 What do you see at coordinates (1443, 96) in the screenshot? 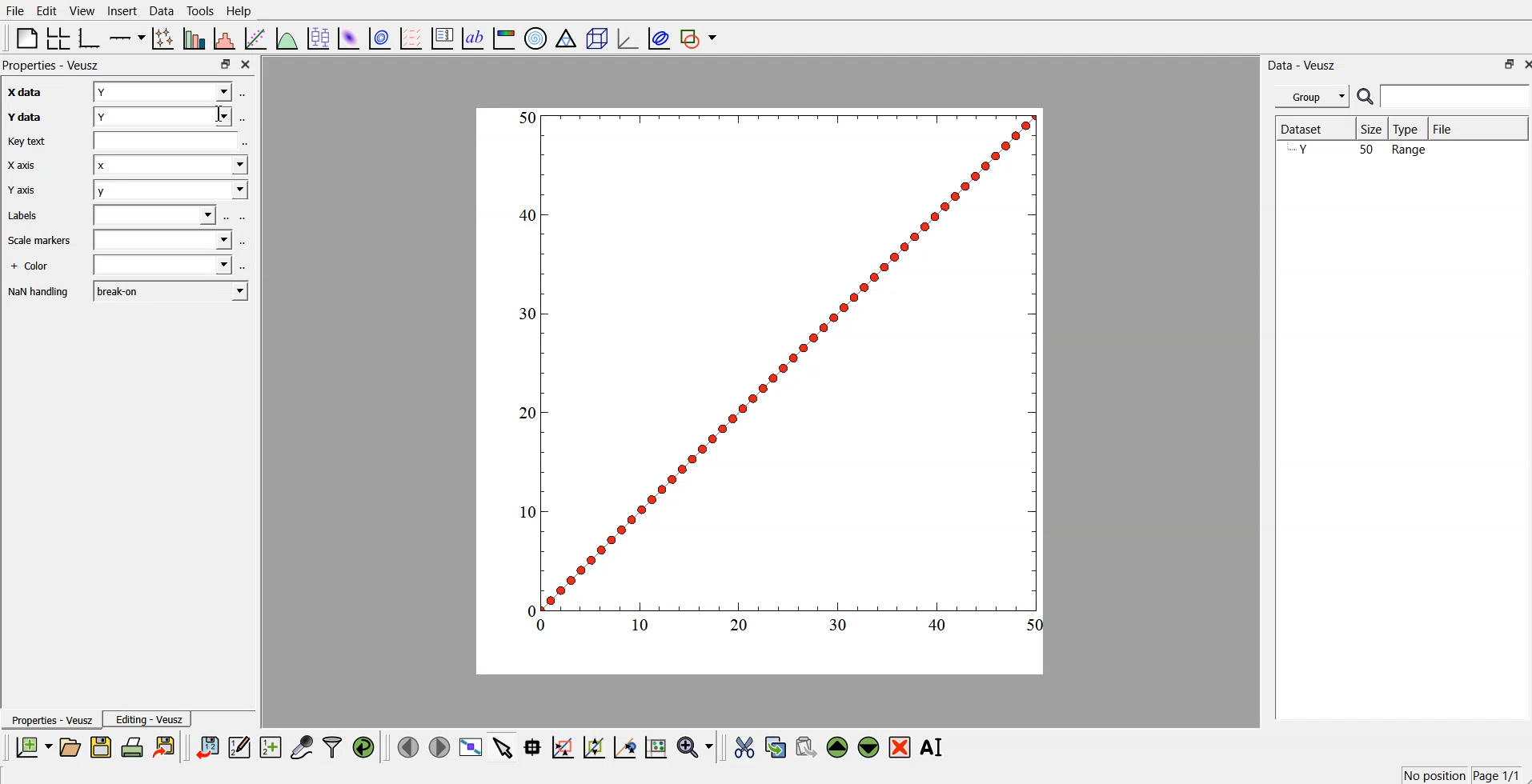
I see `search bar` at bounding box center [1443, 96].